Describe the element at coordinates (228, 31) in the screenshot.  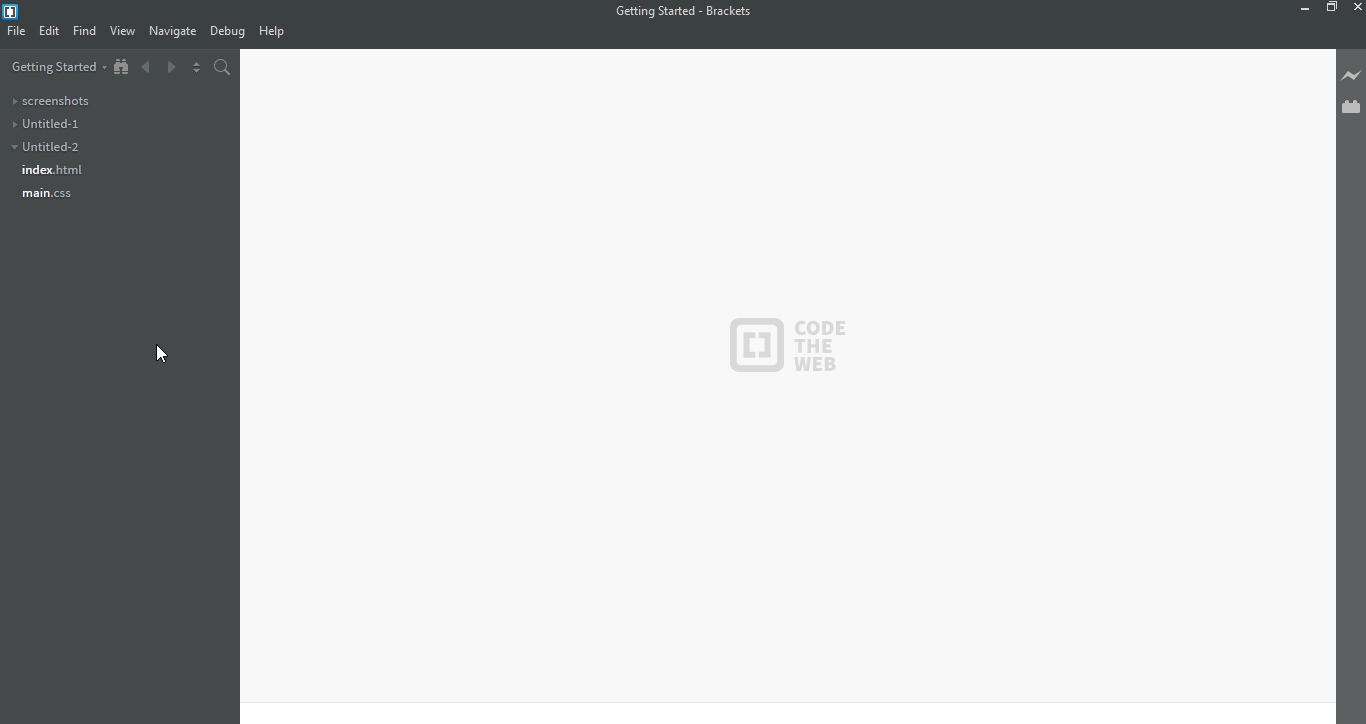
I see `debug` at that location.